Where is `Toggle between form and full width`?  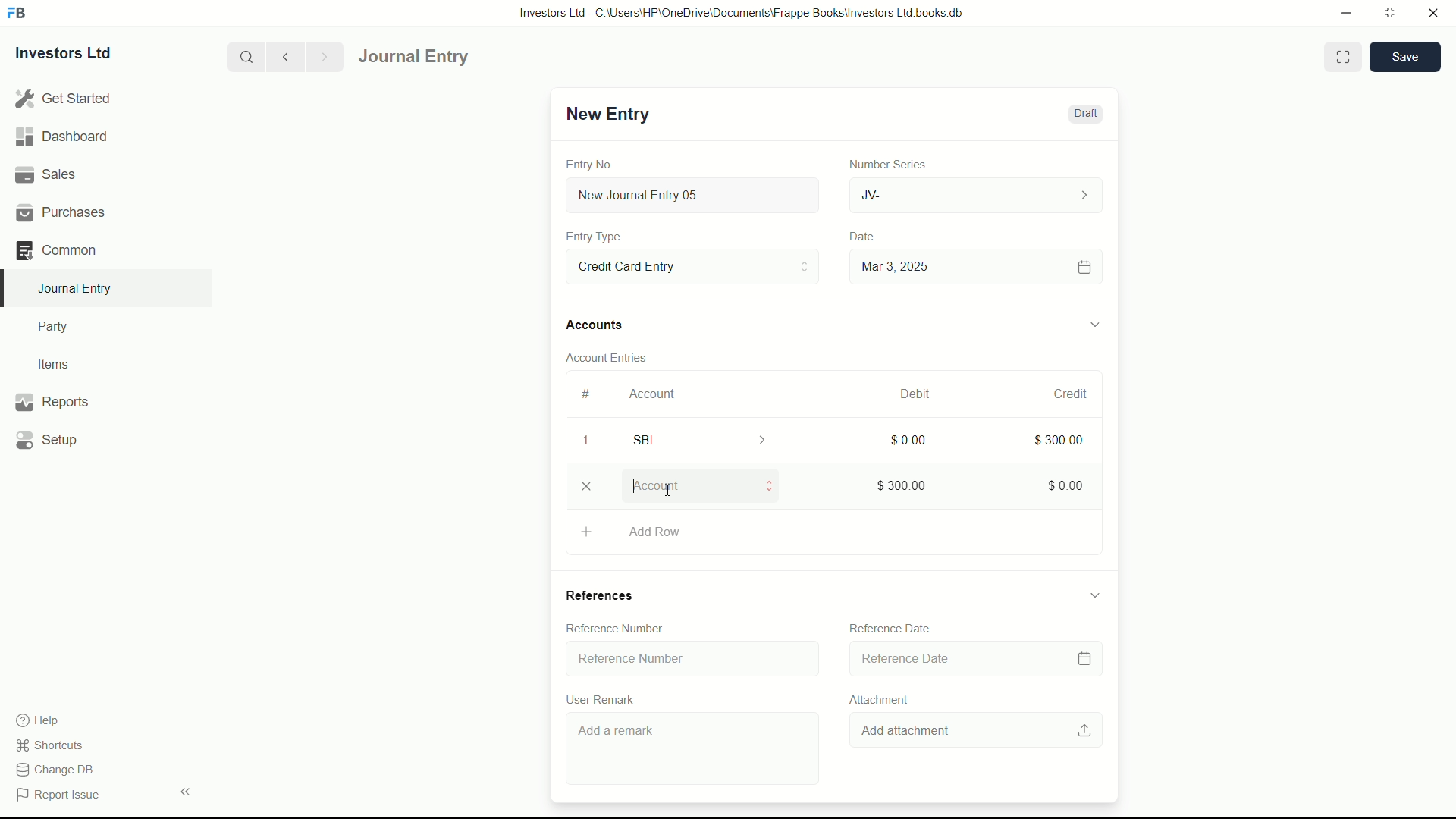 Toggle between form and full width is located at coordinates (1344, 57).